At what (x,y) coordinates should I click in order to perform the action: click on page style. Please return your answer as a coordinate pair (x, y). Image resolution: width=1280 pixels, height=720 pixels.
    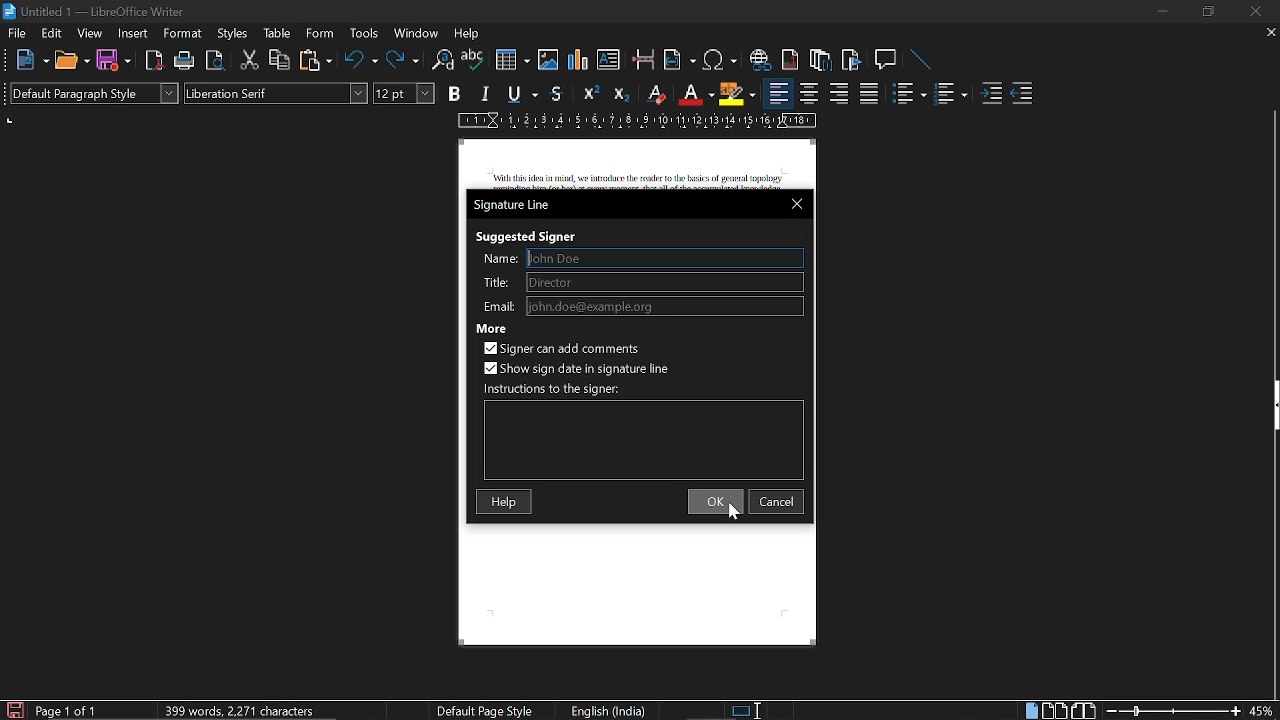
    Looking at the image, I should click on (488, 712).